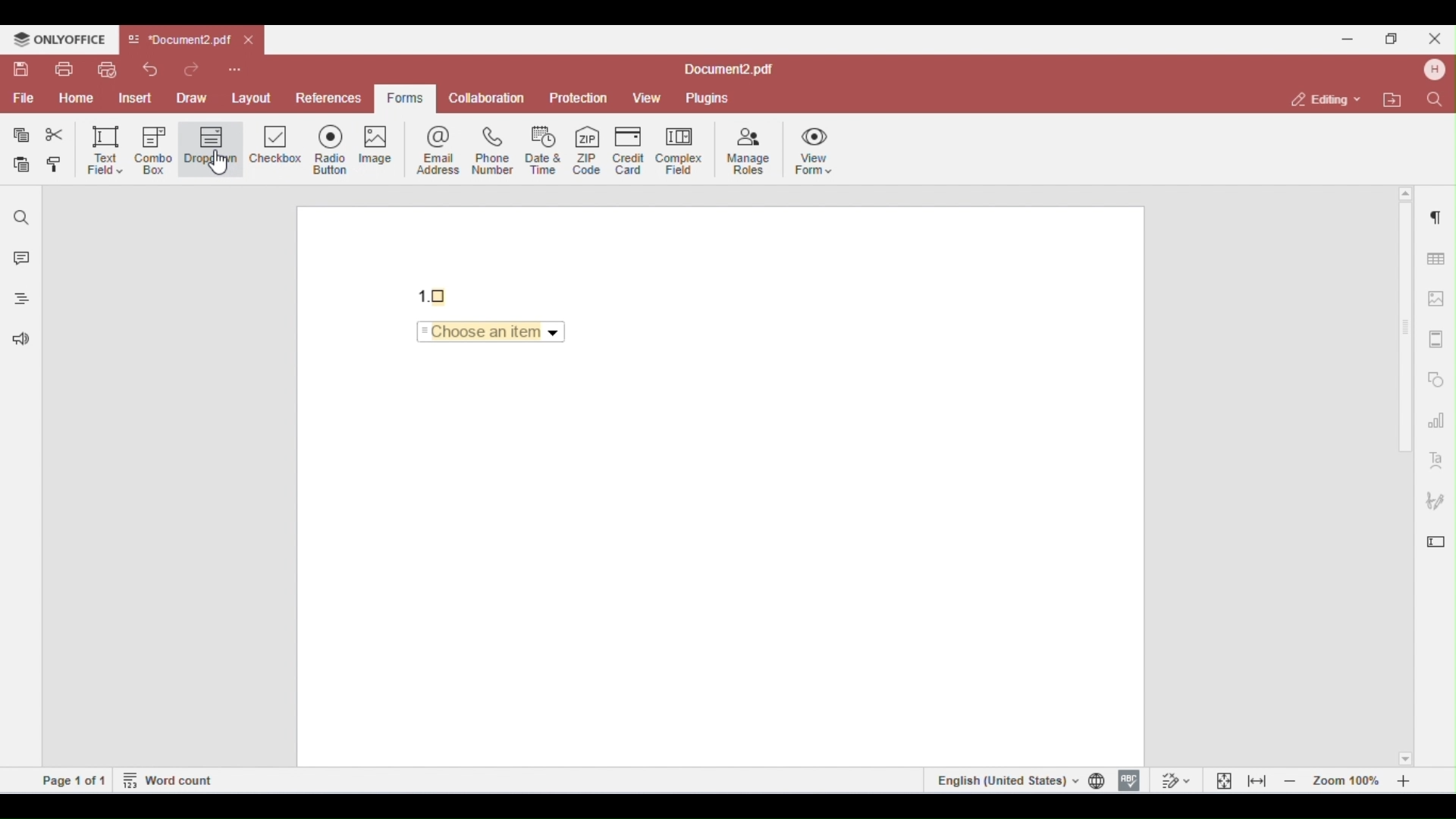 This screenshot has height=819, width=1456. What do you see at coordinates (1436, 538) in the screenshot?
I see `form settings` at bounding box center [1436, 538].